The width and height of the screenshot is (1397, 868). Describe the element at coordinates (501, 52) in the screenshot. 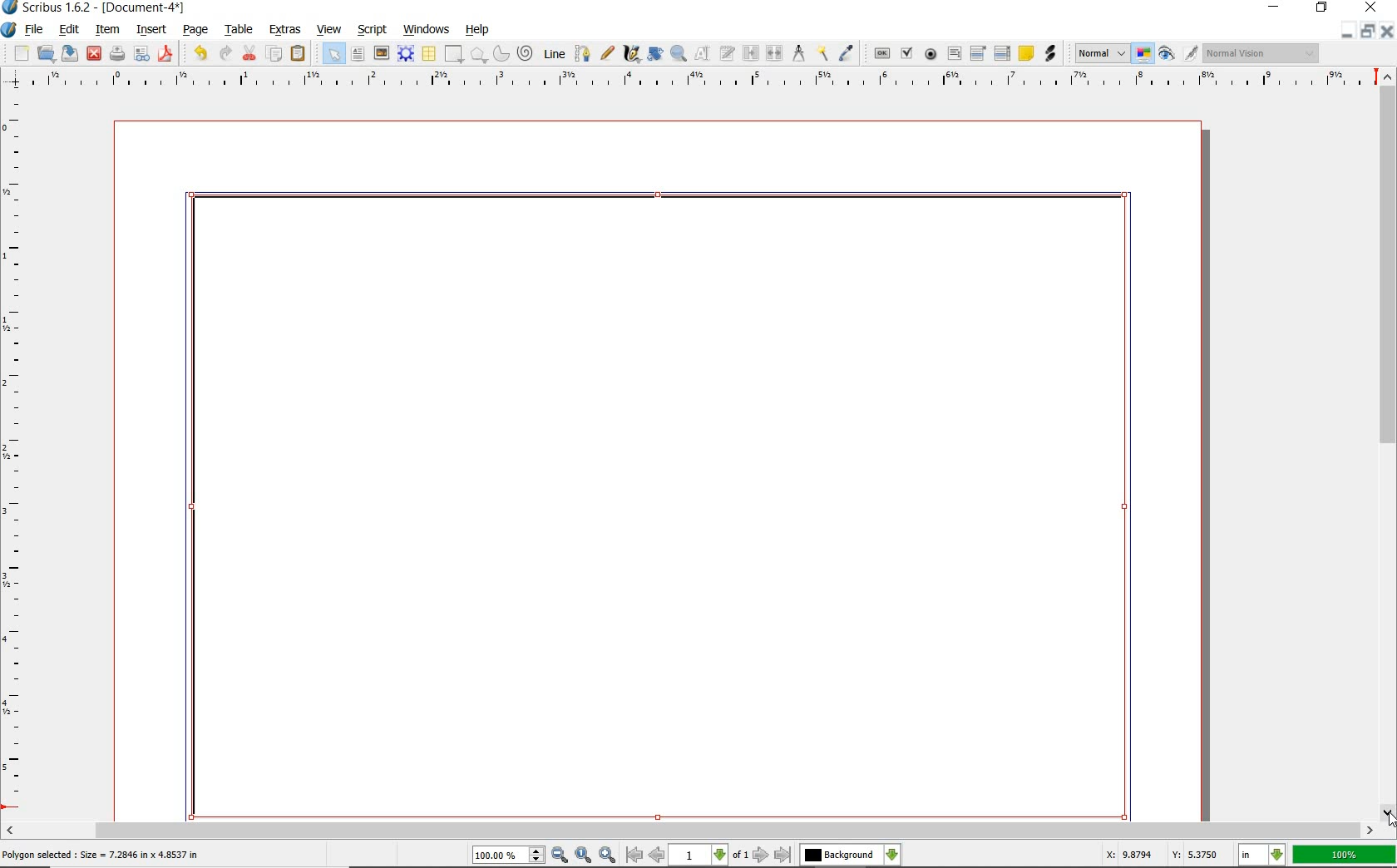

I see `arc` at that location.